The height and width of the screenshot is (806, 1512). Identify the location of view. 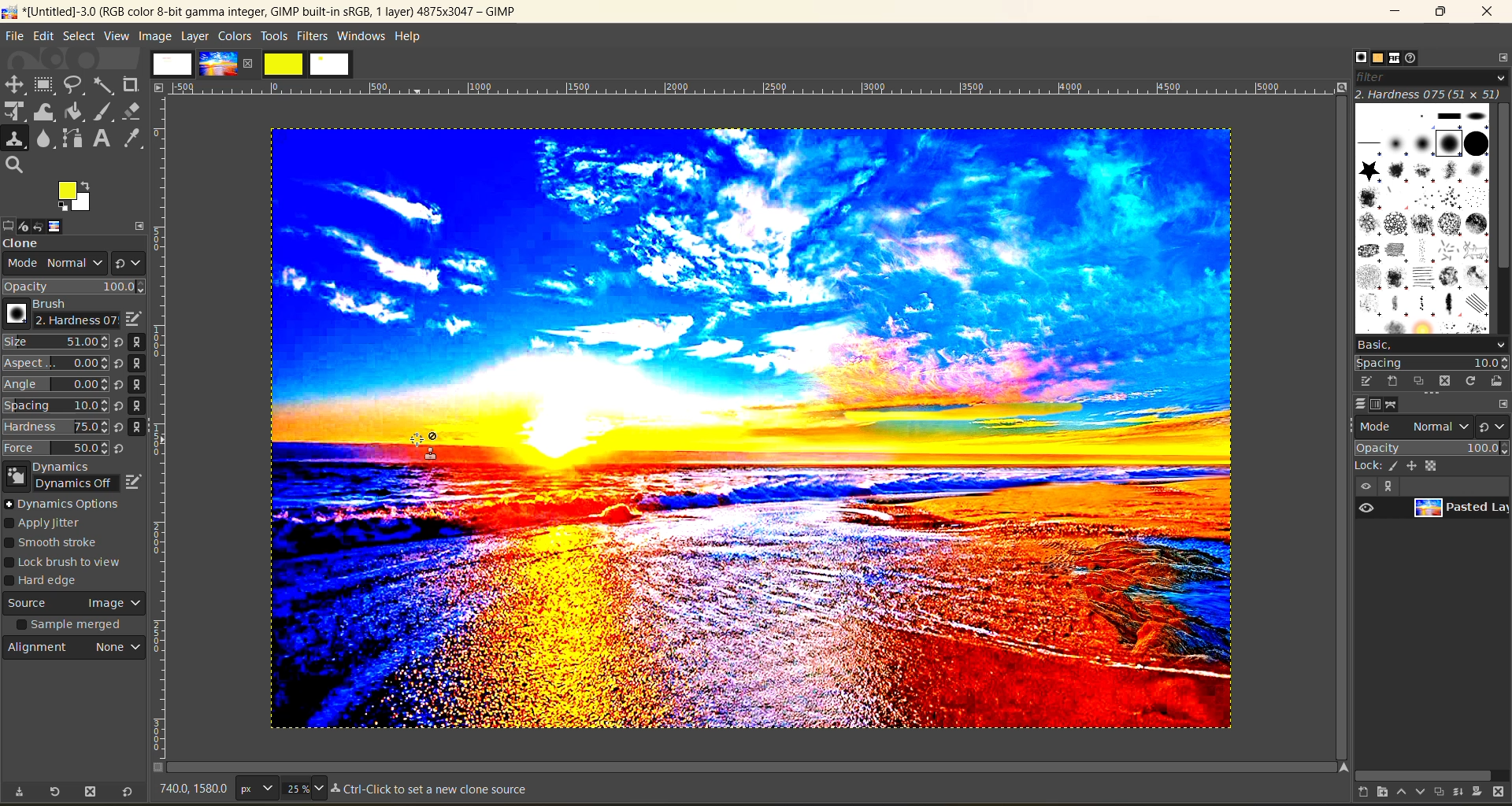
(1364, 486).